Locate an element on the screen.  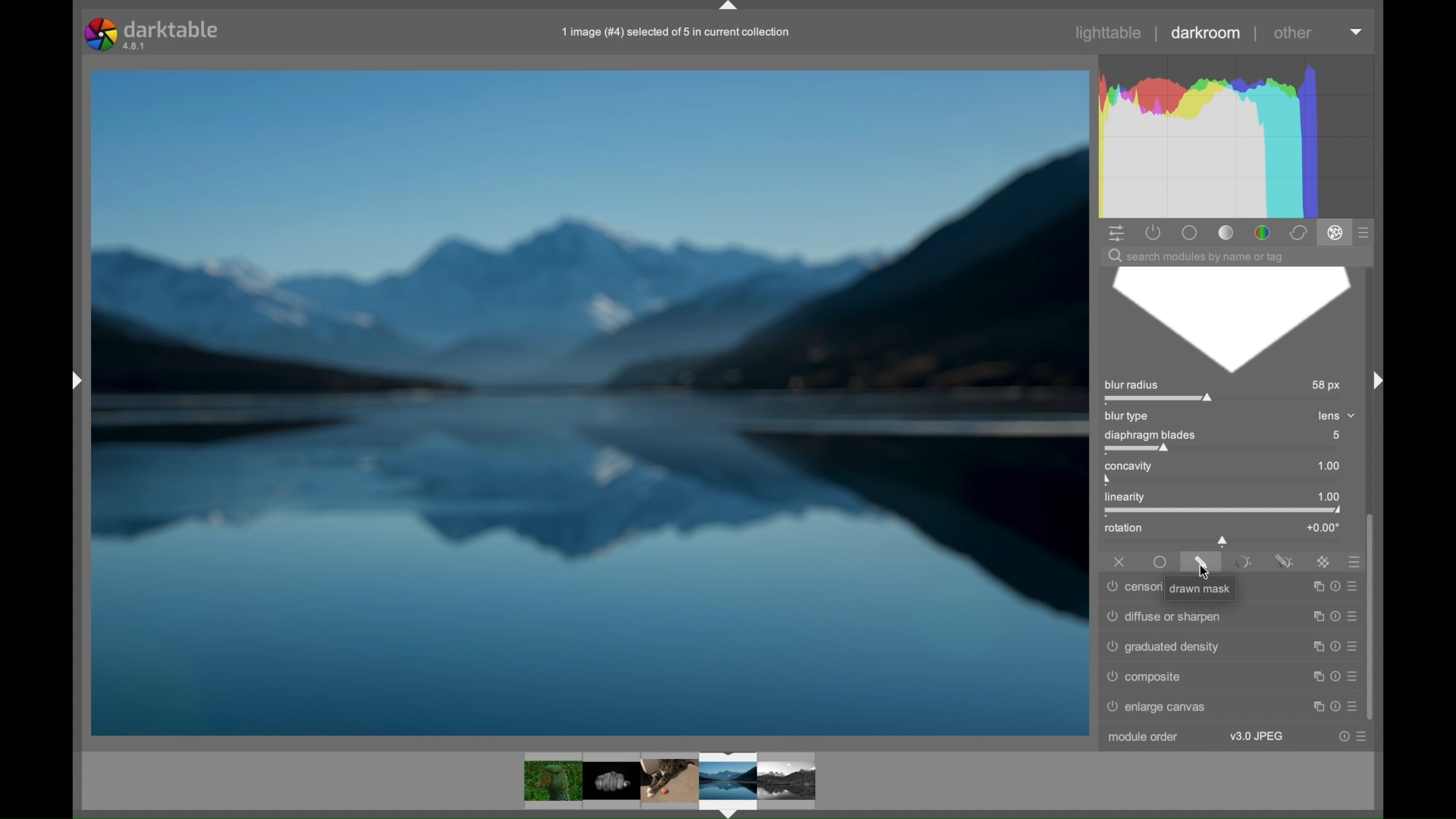
off is located at coordinates (1119, 560).